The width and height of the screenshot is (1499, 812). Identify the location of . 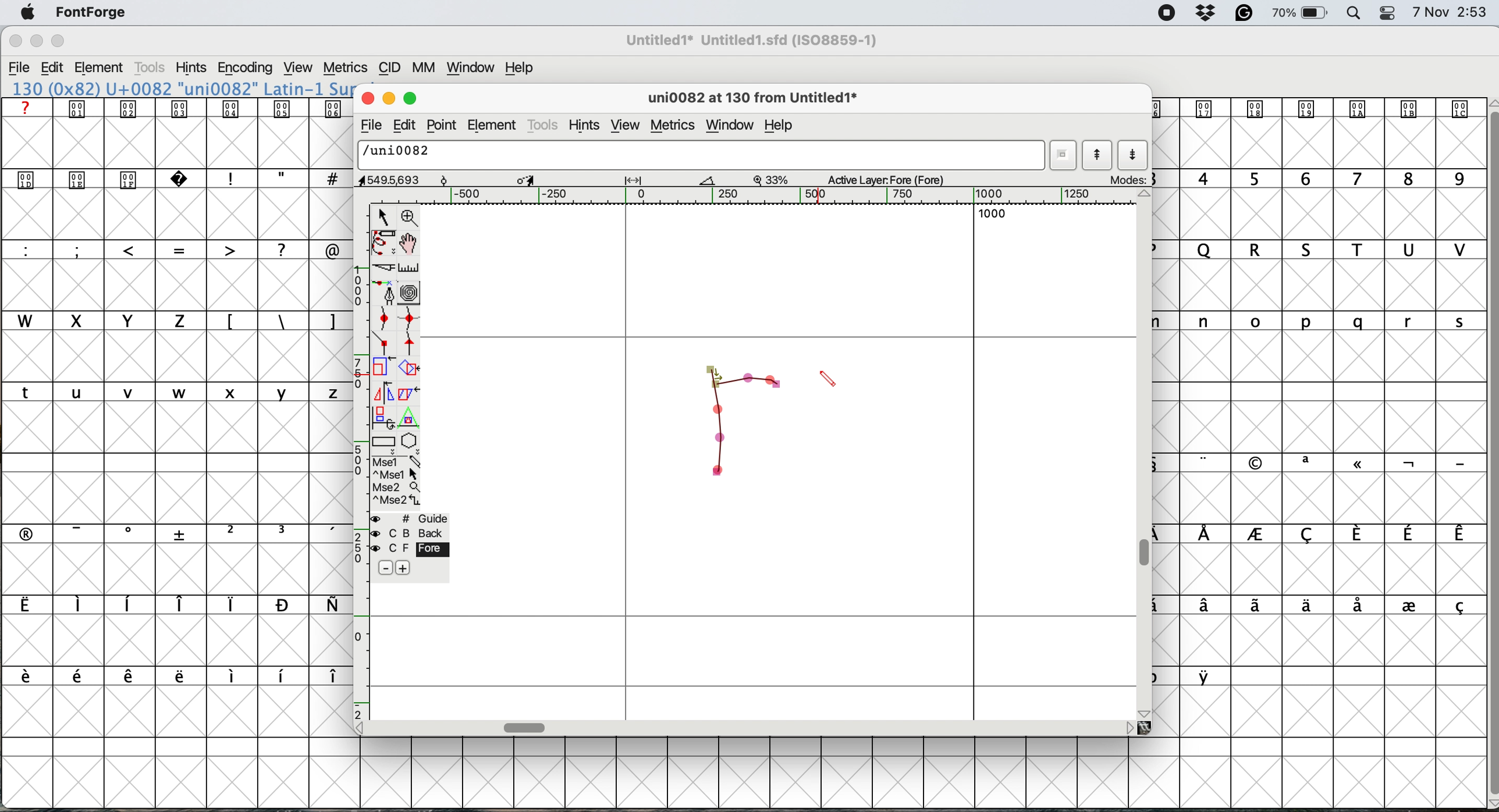
(59, 26).